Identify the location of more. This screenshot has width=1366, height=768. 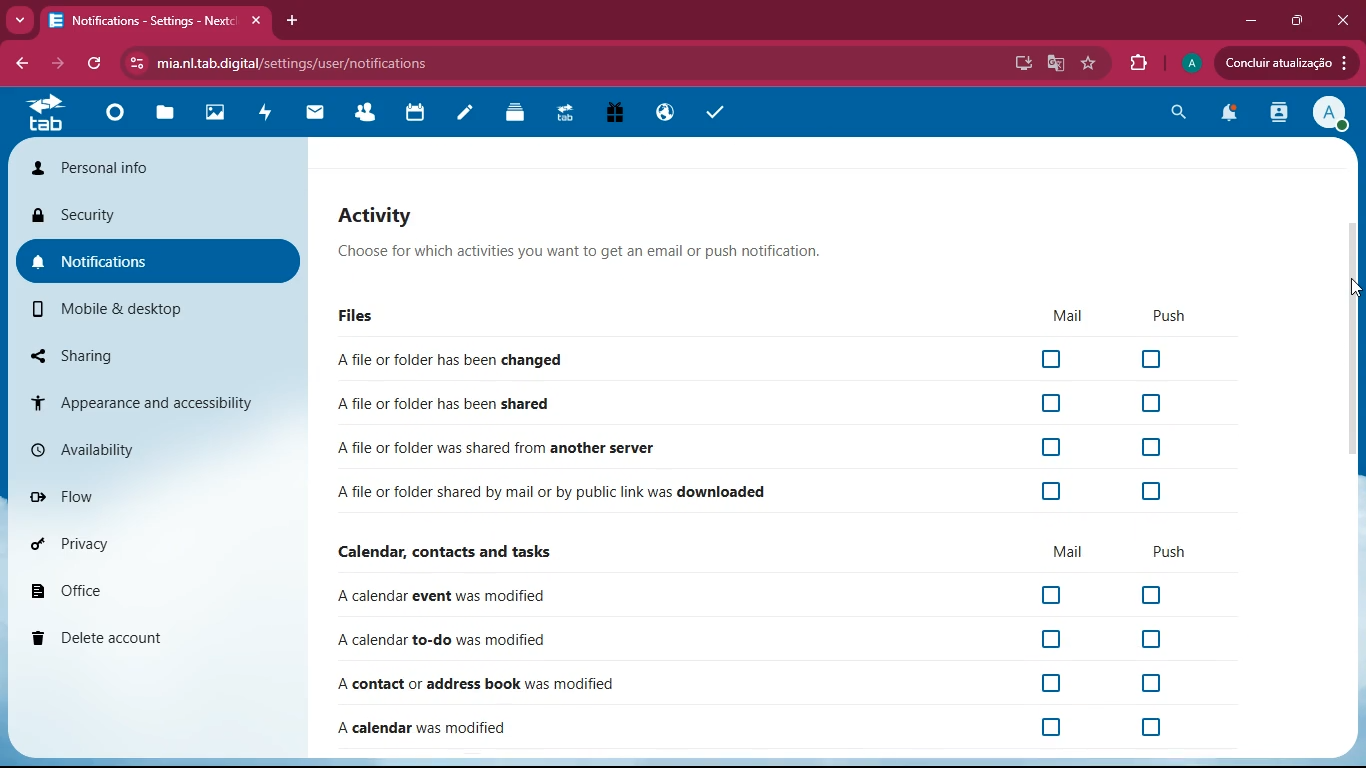
(18, 21).